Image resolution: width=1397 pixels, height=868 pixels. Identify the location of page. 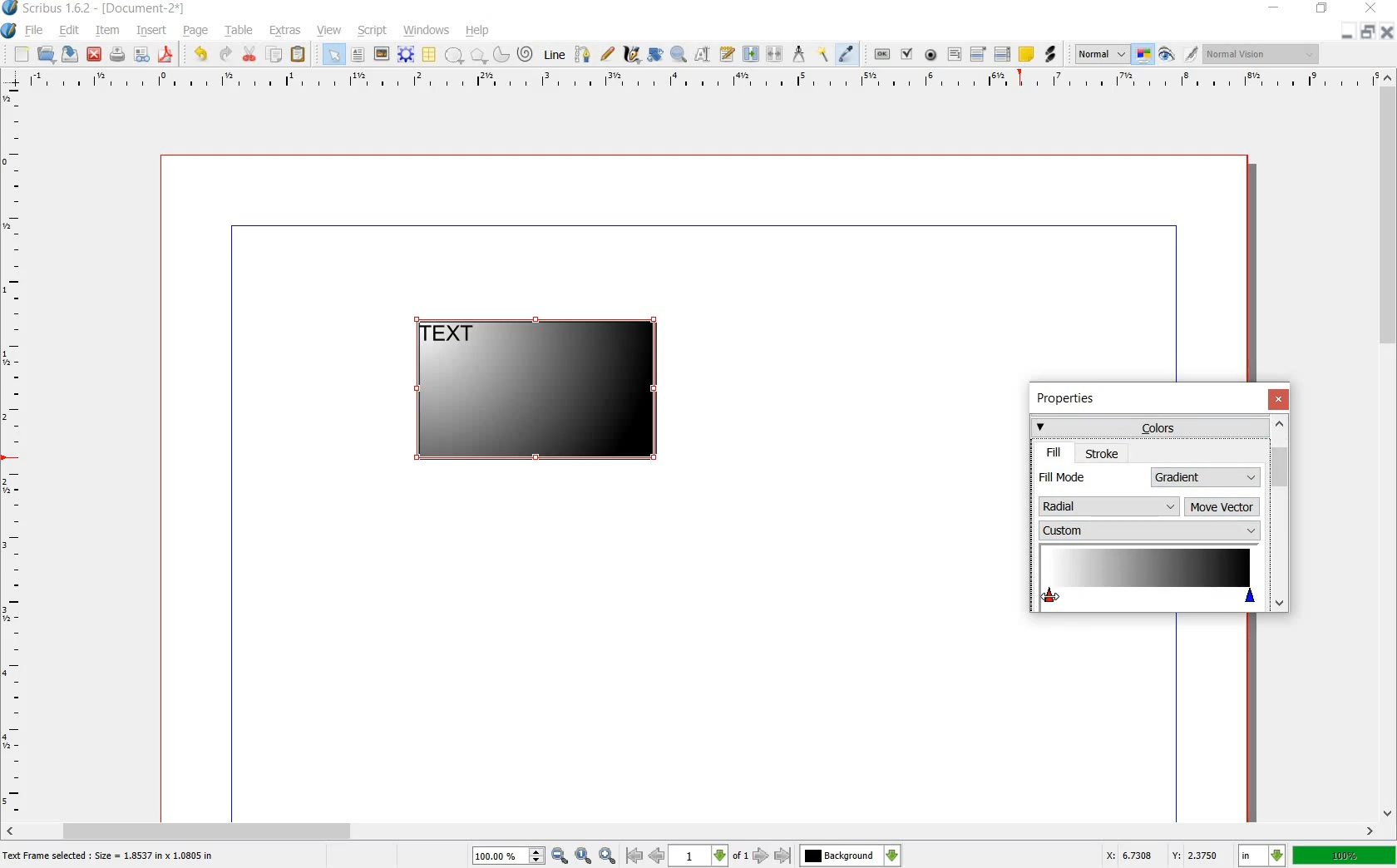
(196, 32).